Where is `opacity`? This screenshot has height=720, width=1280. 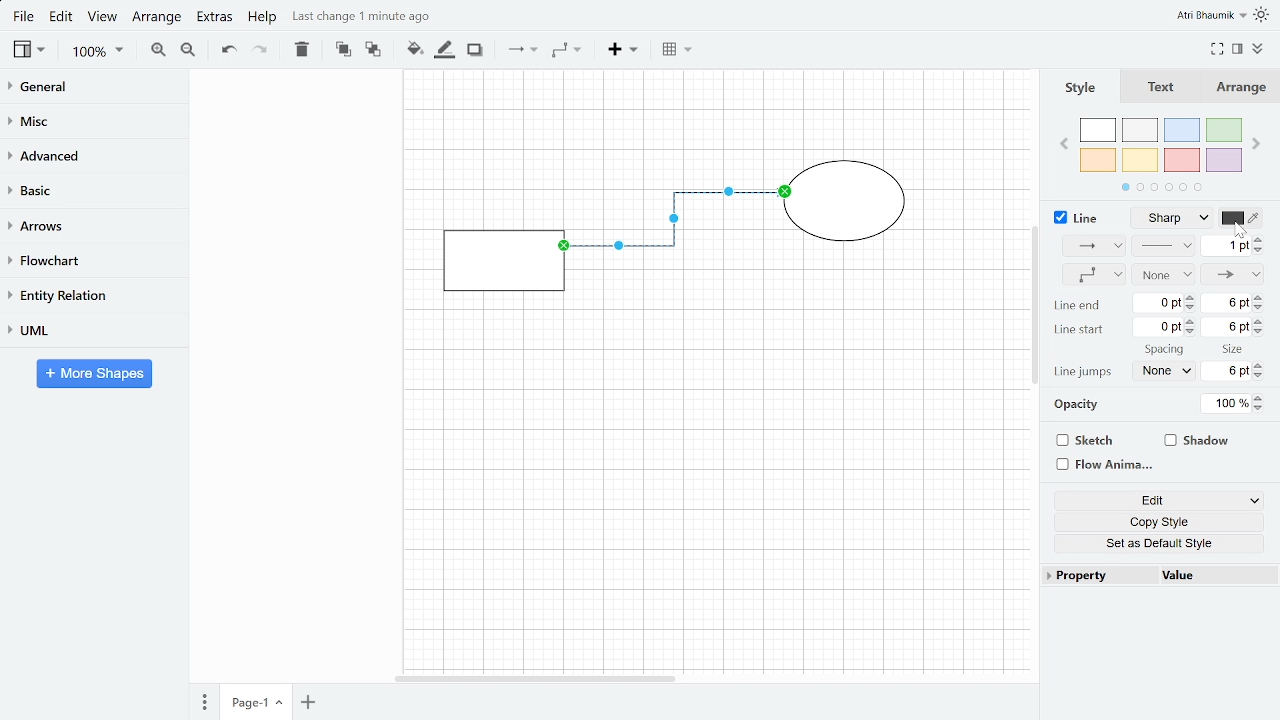 opacity is located at coordinates (1071, 406).